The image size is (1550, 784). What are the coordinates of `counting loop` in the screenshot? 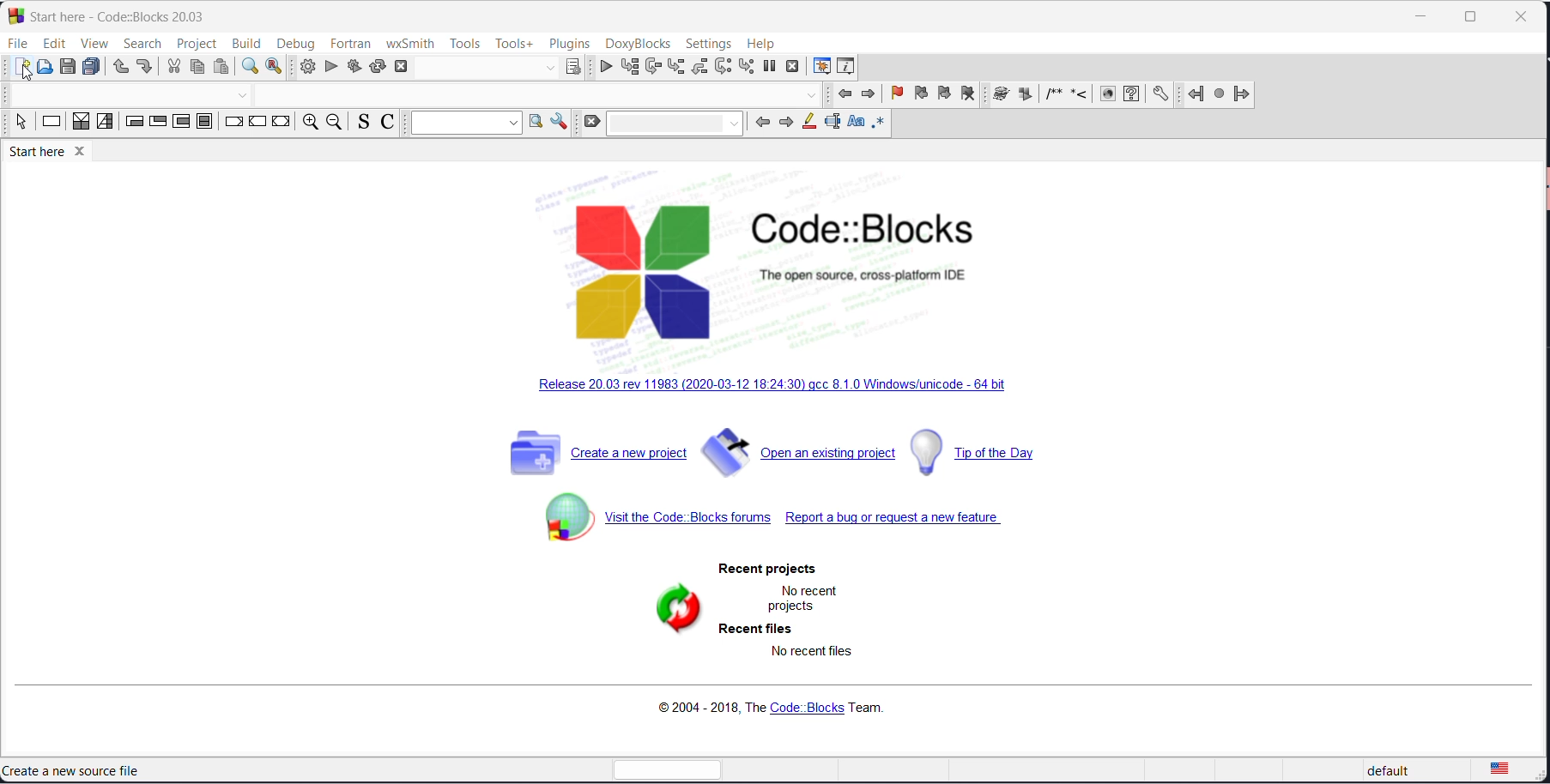 It's located at (183, 124).